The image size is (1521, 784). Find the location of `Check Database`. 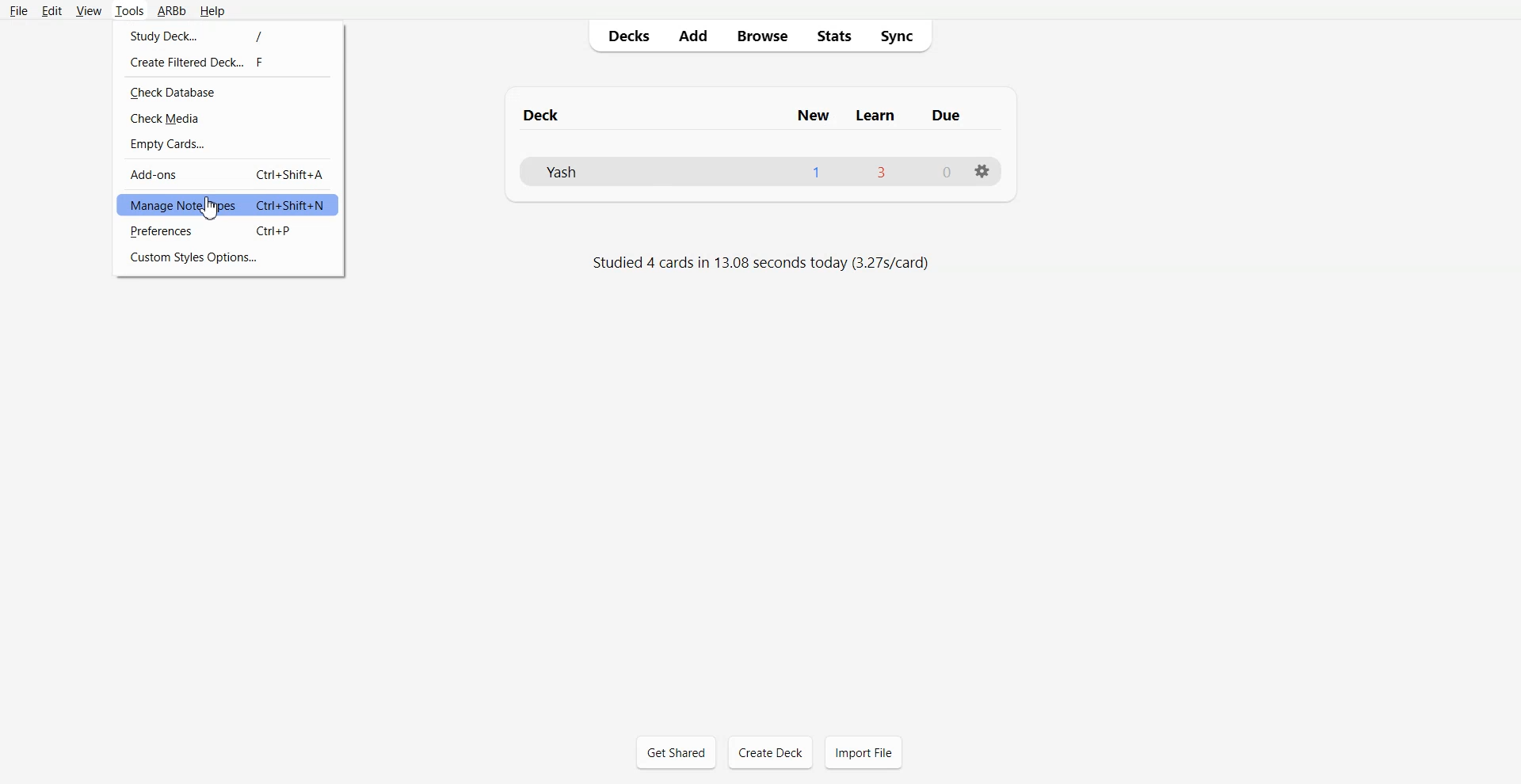

Check Database is located at coordinates (229, 93).